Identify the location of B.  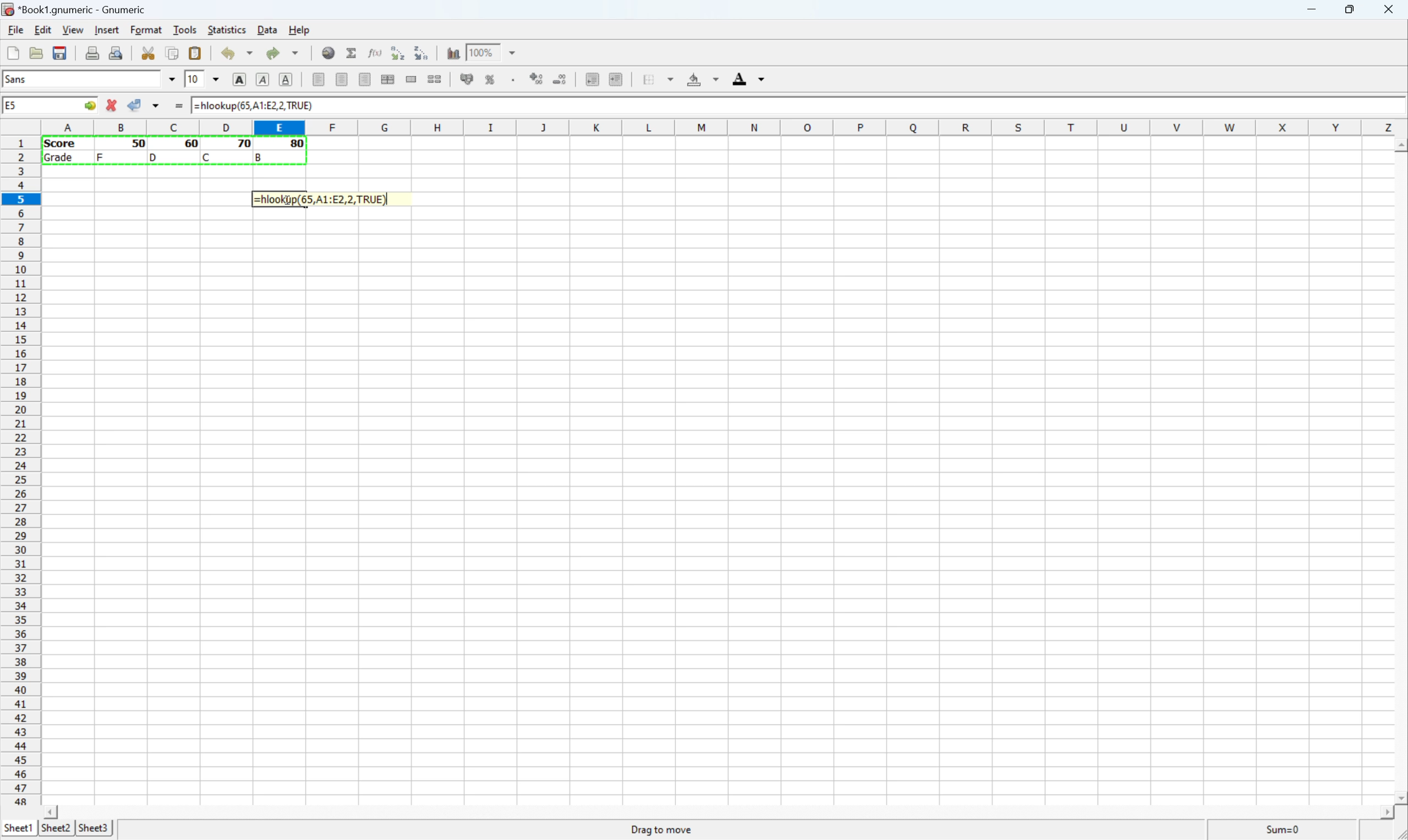
(260, 156).